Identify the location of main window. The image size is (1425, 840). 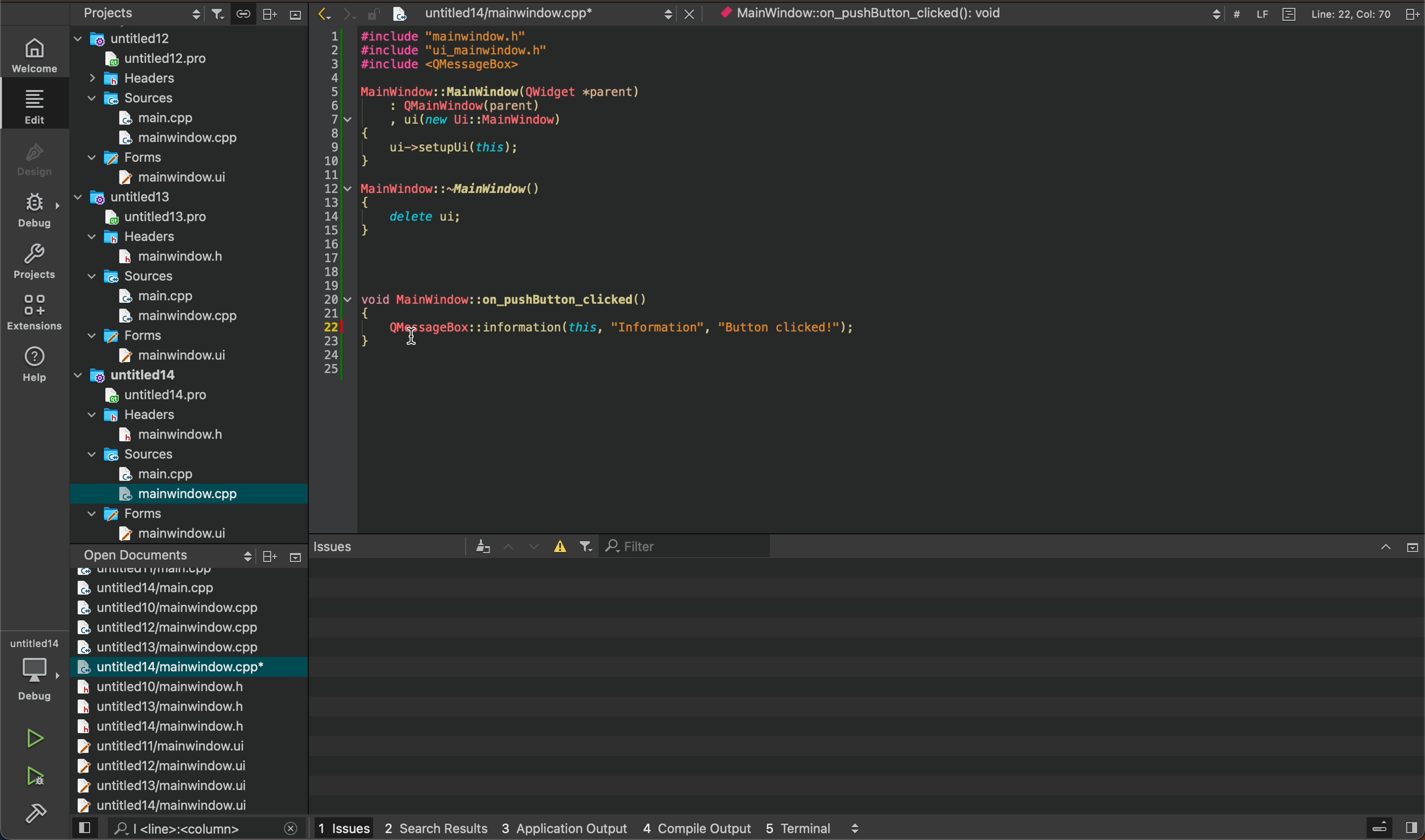
(165, 177).